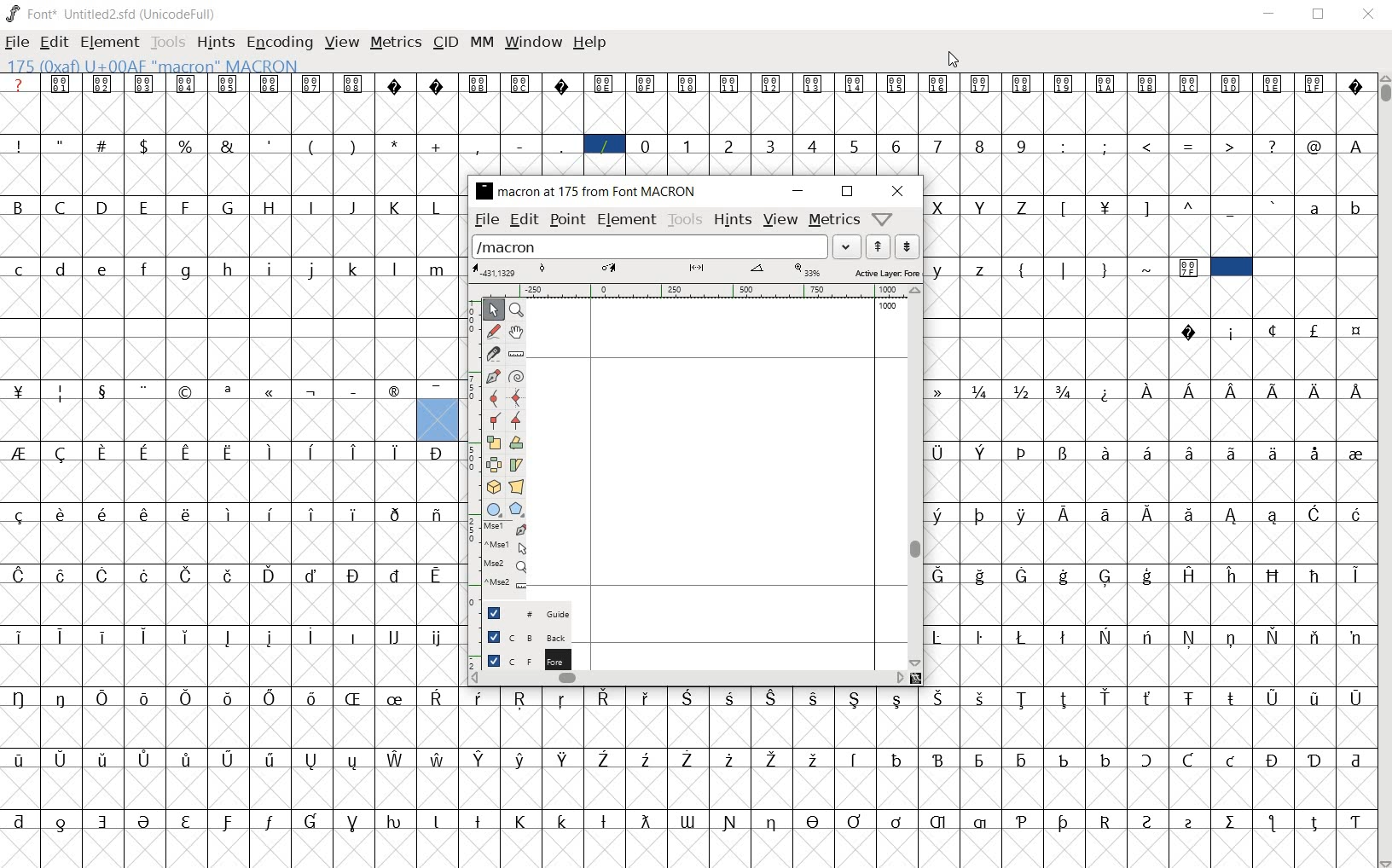 The width and height of the screenshot is (1392, 868). Describe the element at coordinates (270, 637) in the screenshot. I see `Symbol` at that location.